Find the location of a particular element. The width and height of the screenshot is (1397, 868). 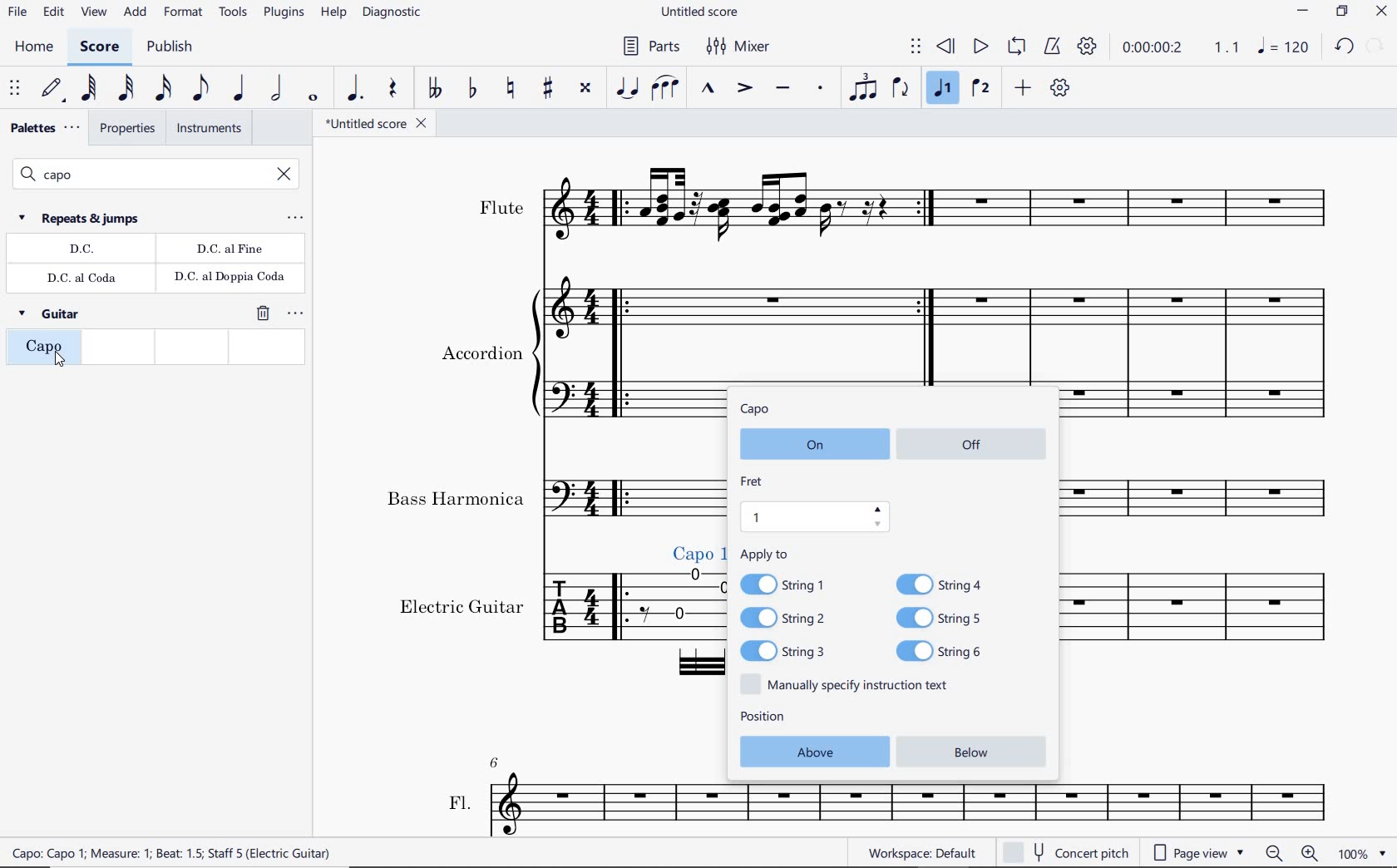

close is located at coordinates (1382, 12).